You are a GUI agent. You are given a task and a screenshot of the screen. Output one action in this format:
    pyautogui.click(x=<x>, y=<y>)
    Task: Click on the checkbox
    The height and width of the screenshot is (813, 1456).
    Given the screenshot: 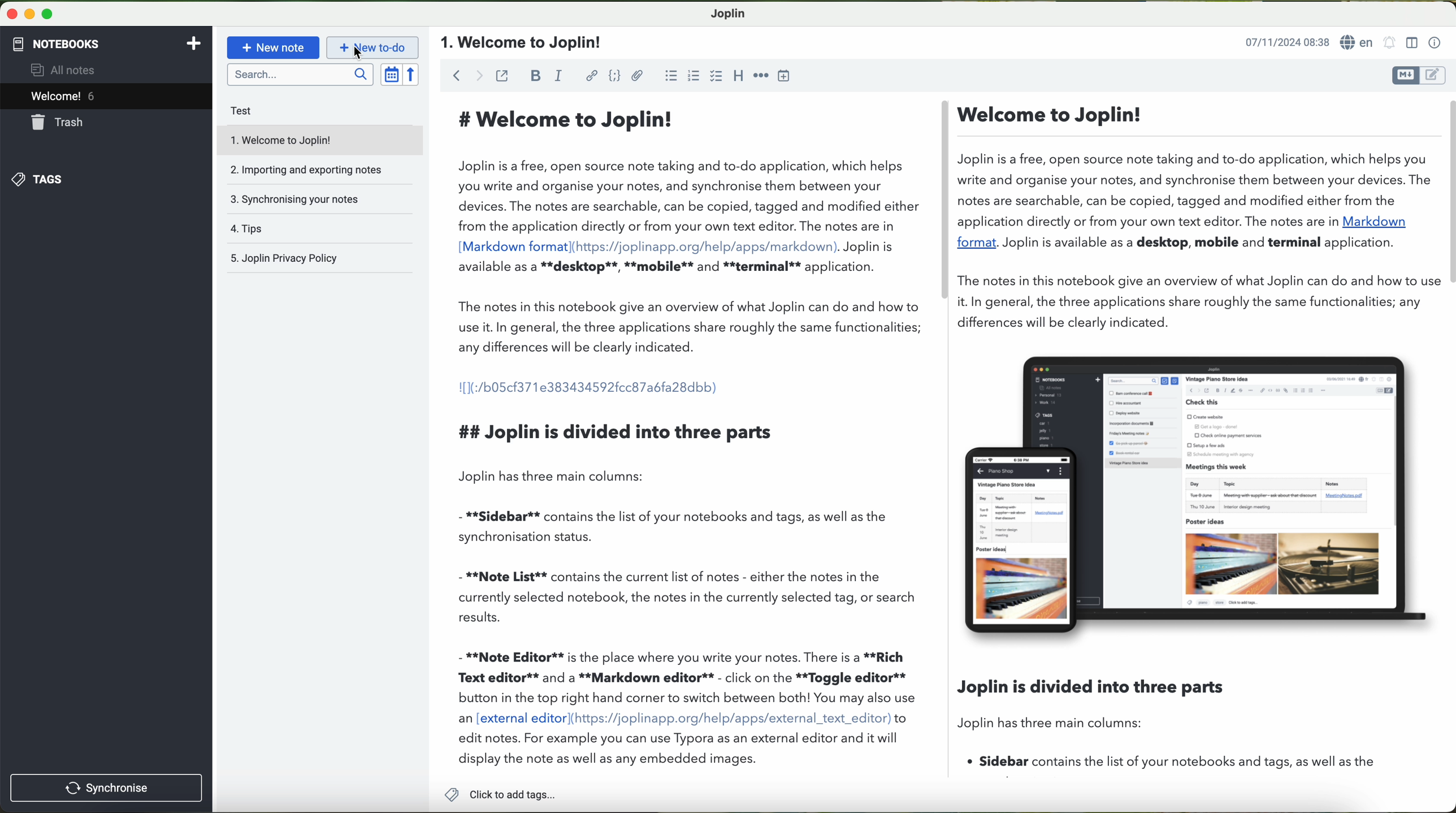 What is the action you would take?
    pyautogui.click(x=716, y=75)
    